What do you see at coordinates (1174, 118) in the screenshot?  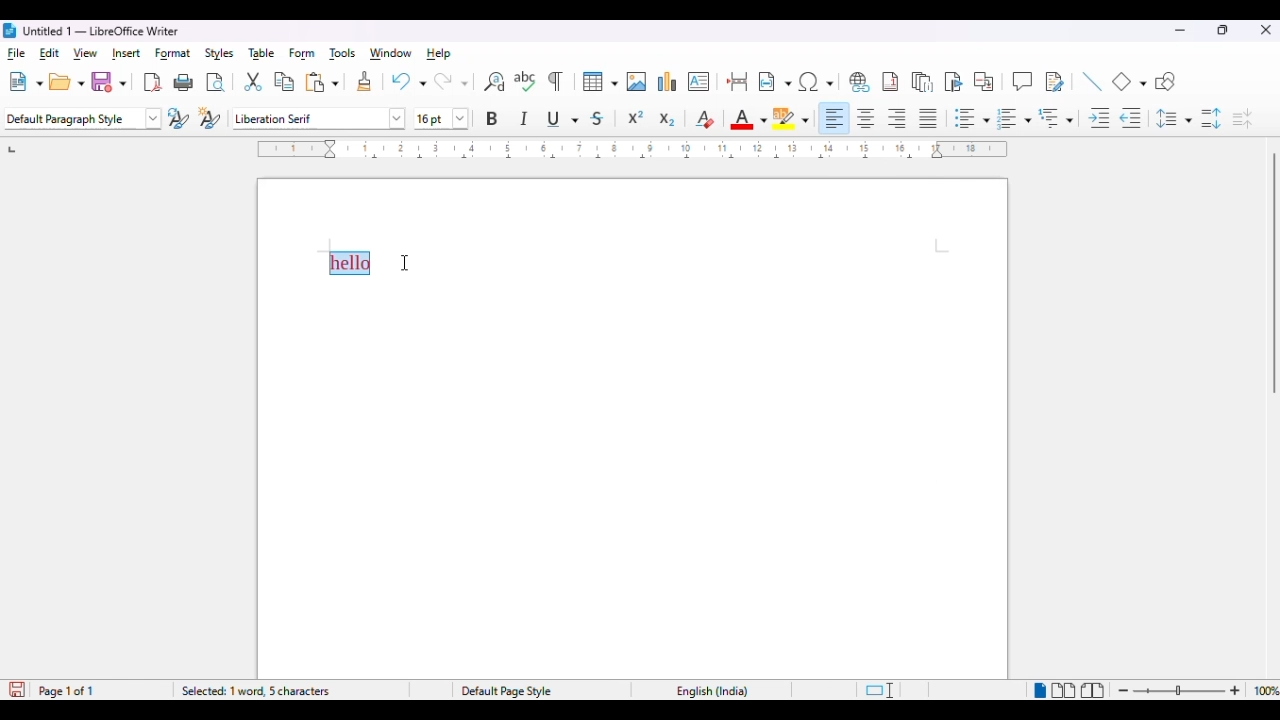 I see `set line spacing` at bounding box center [1174, 118].